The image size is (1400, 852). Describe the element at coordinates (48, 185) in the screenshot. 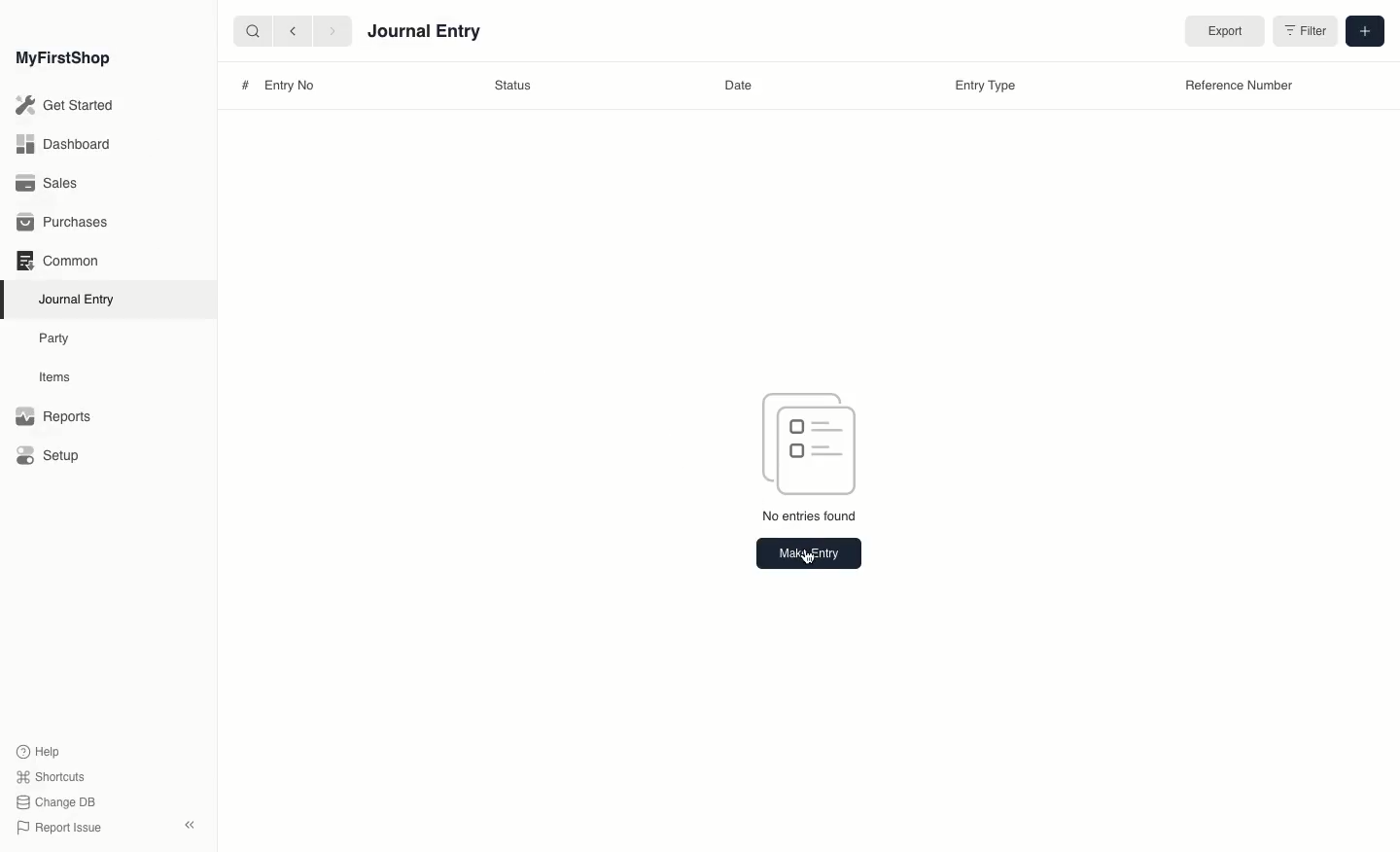

I see `Sales` at that location.